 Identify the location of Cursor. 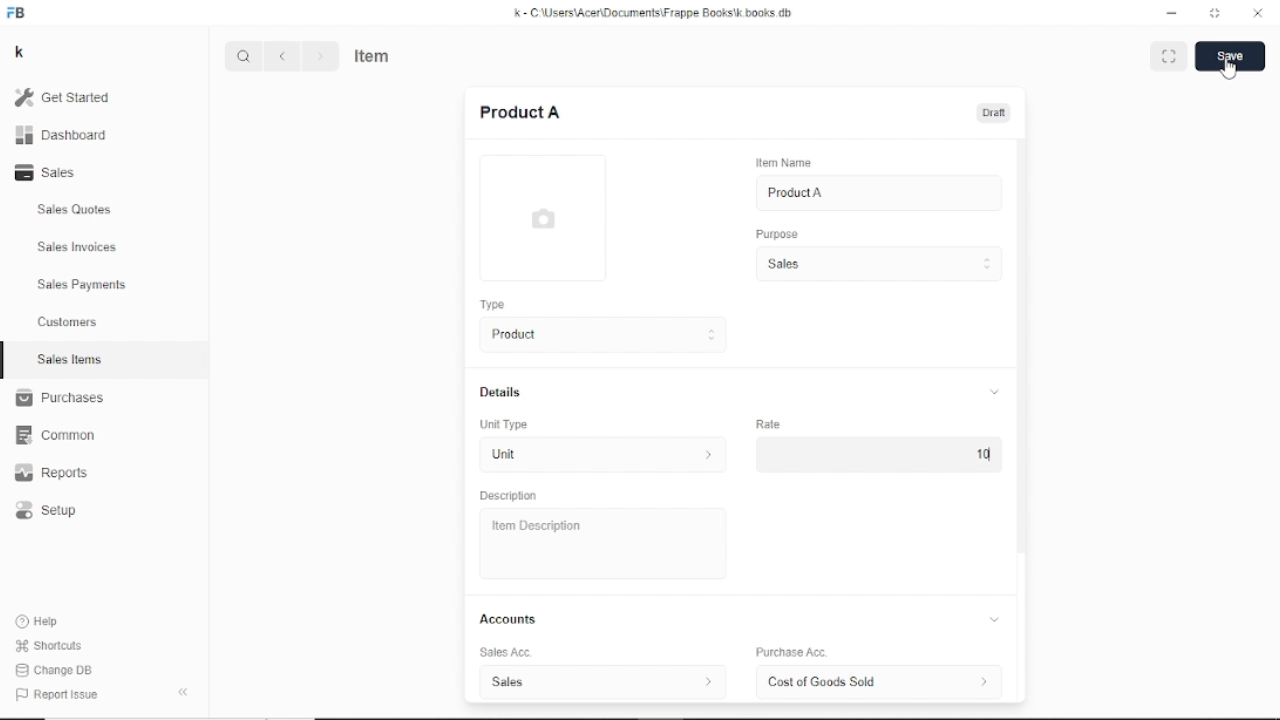
(1229, 67).